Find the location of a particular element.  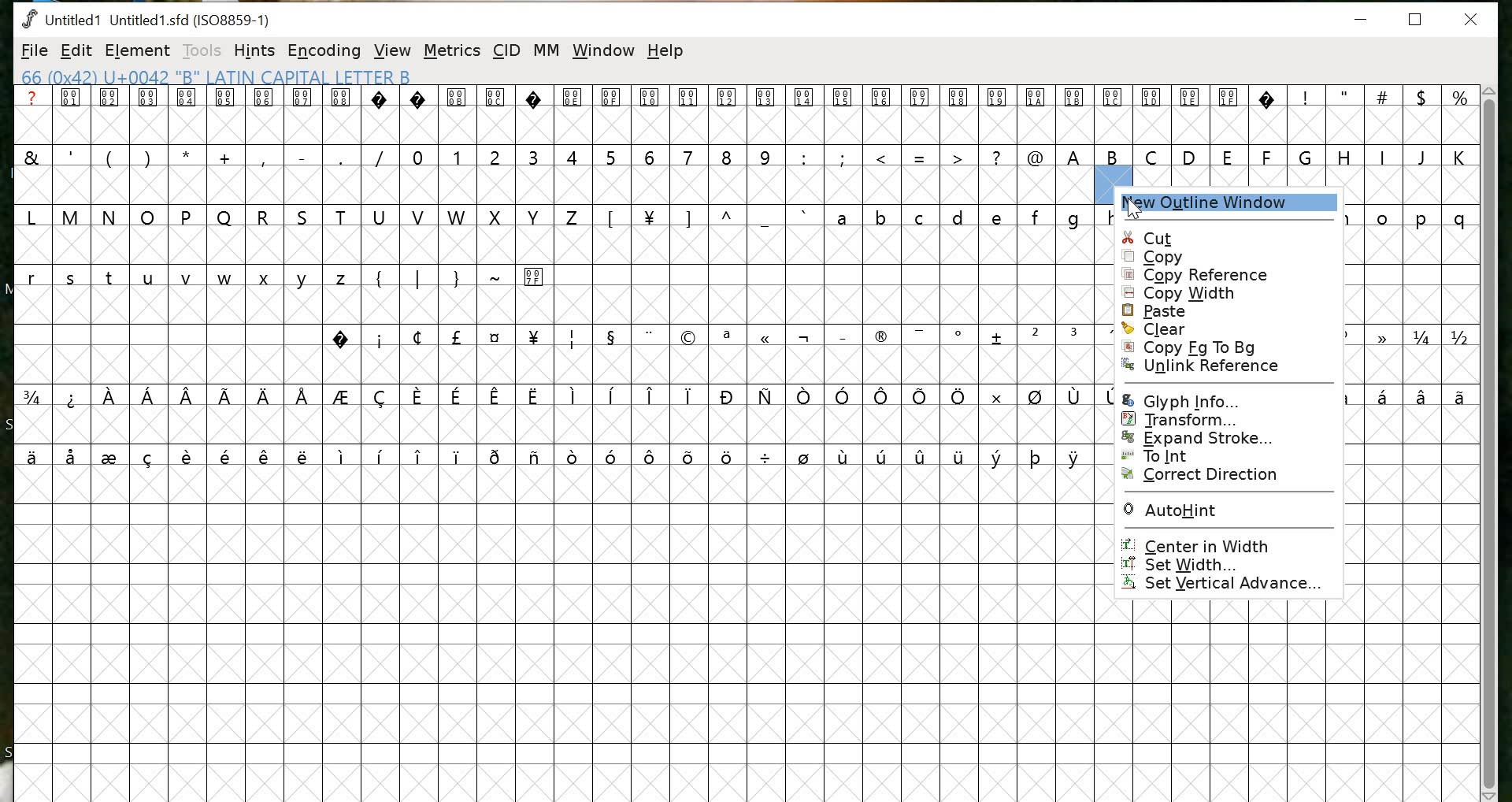

expand stroke is located at coordinates (1227, 439).